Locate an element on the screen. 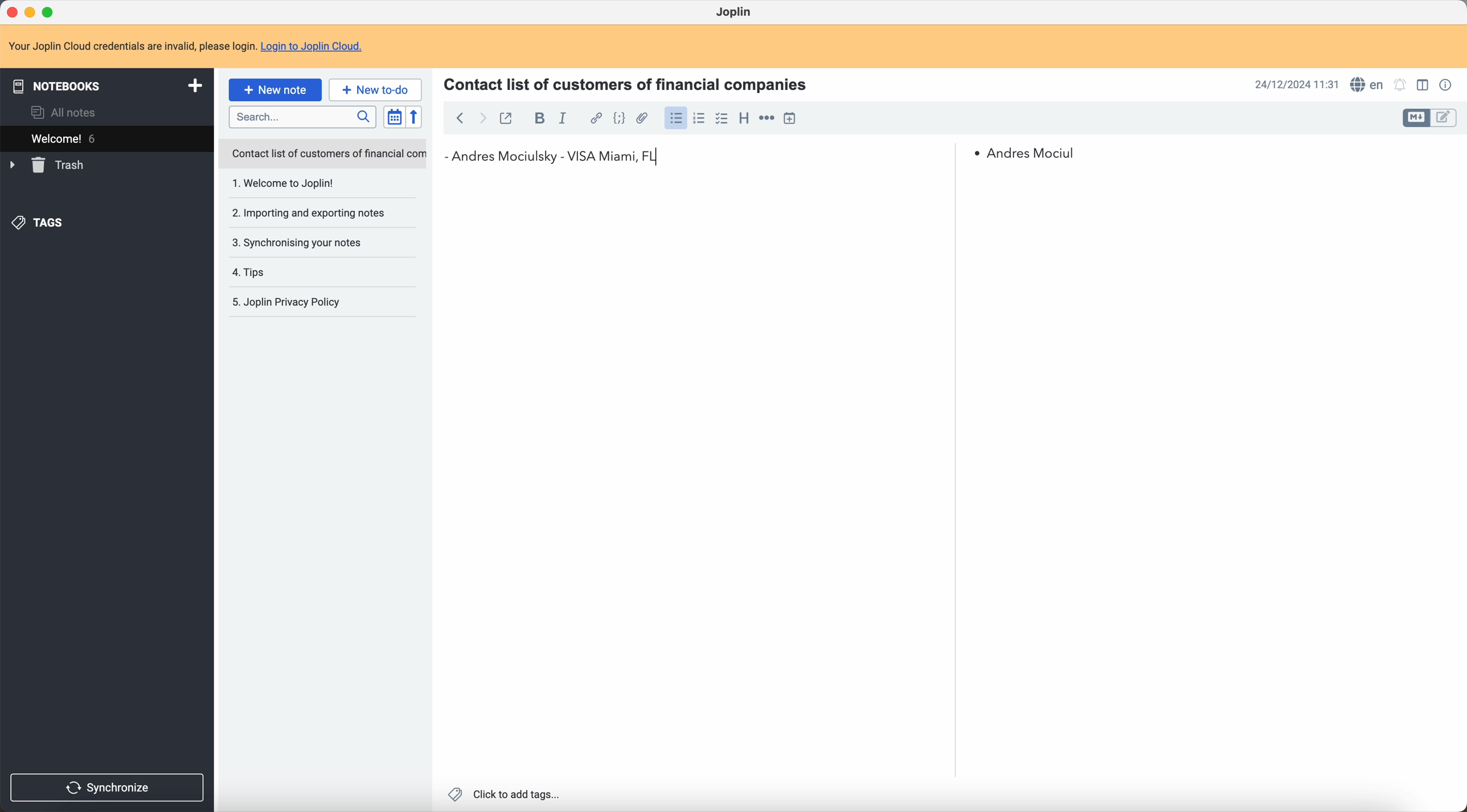  note properties is located at coordinates (1448, 85).